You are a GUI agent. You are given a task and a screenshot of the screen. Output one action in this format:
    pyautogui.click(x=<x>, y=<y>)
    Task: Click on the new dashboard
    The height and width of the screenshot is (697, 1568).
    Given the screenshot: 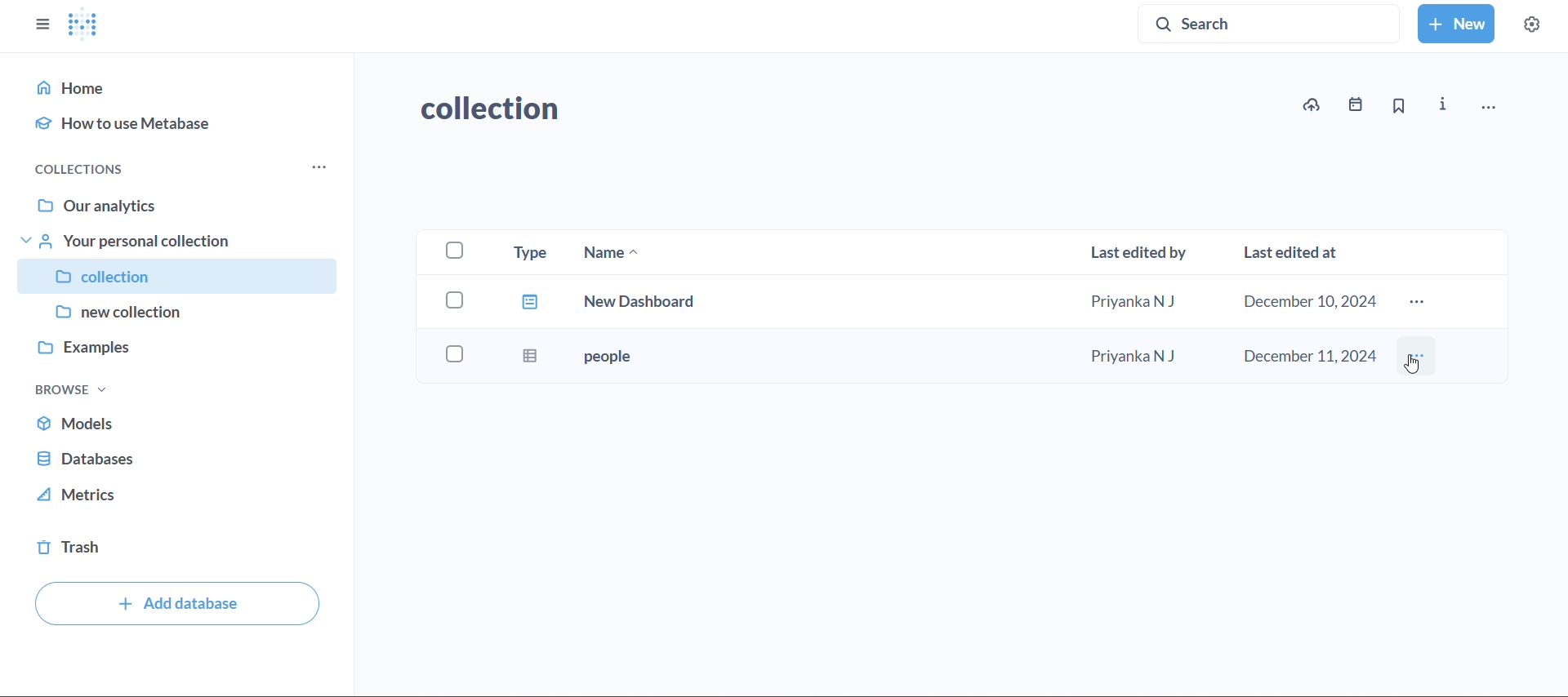 What is the action you would take?
    pyautogui.click(x=645, y=302)
    